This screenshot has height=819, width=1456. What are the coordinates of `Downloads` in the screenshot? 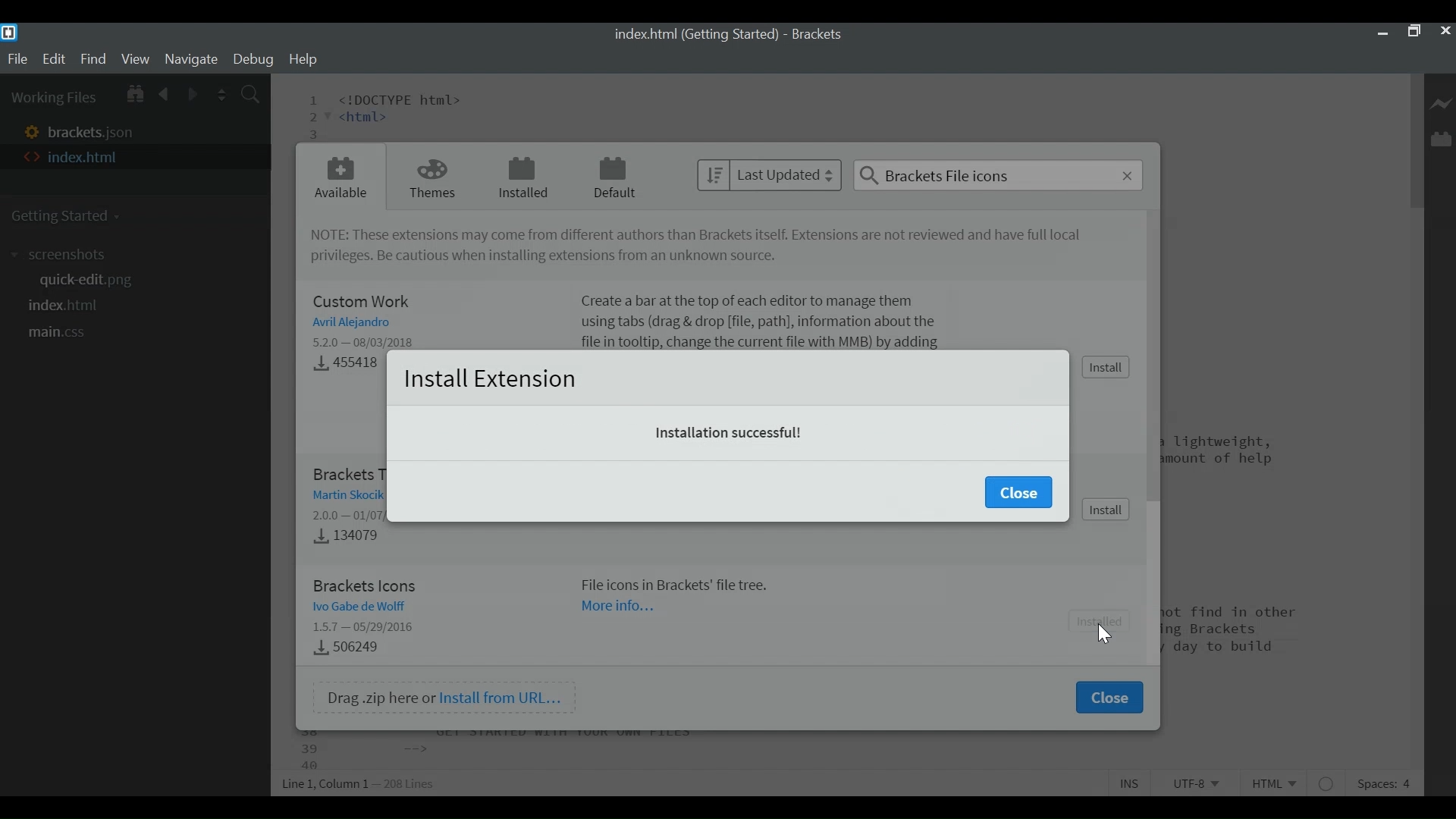 It's located at (343, 538).